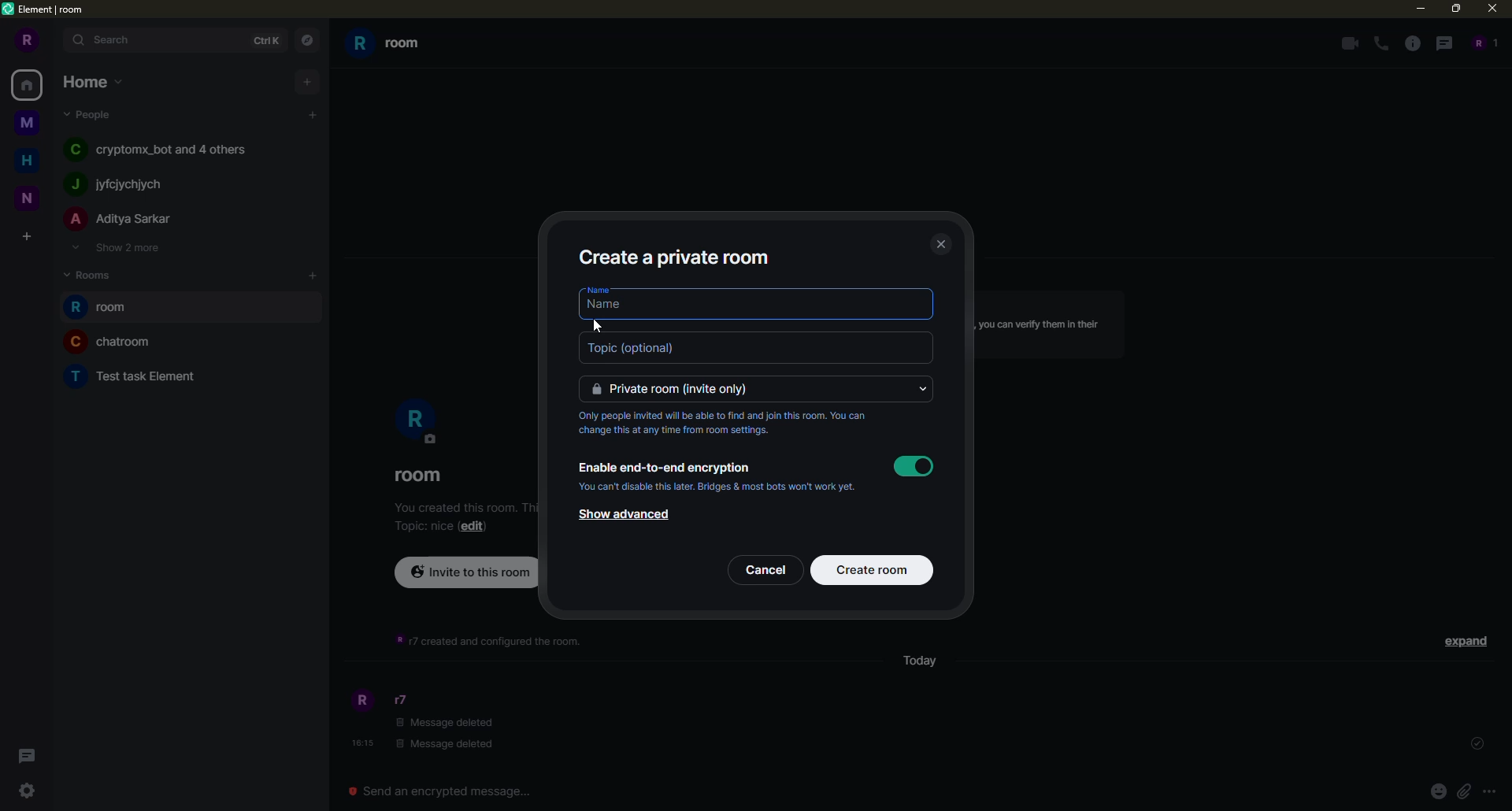 The width and height of the screenshot is (1512, 811). What do you see at coordinates (1438, 791) in the screenshot?
I see `emoji` at bounding box center [1438, 791].